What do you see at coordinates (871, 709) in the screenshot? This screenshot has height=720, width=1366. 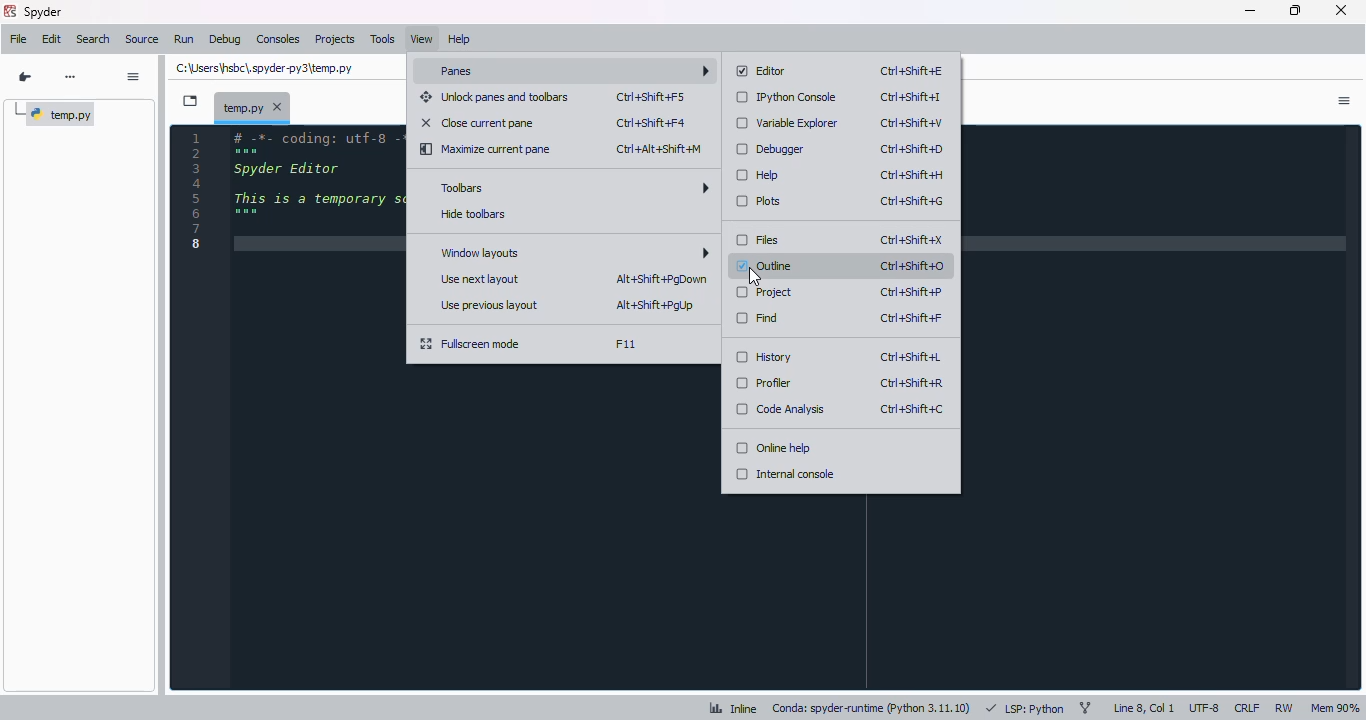 I see `conda: spyder-runtime (python 3. 11. 10)` at bounding box center [871, 709].